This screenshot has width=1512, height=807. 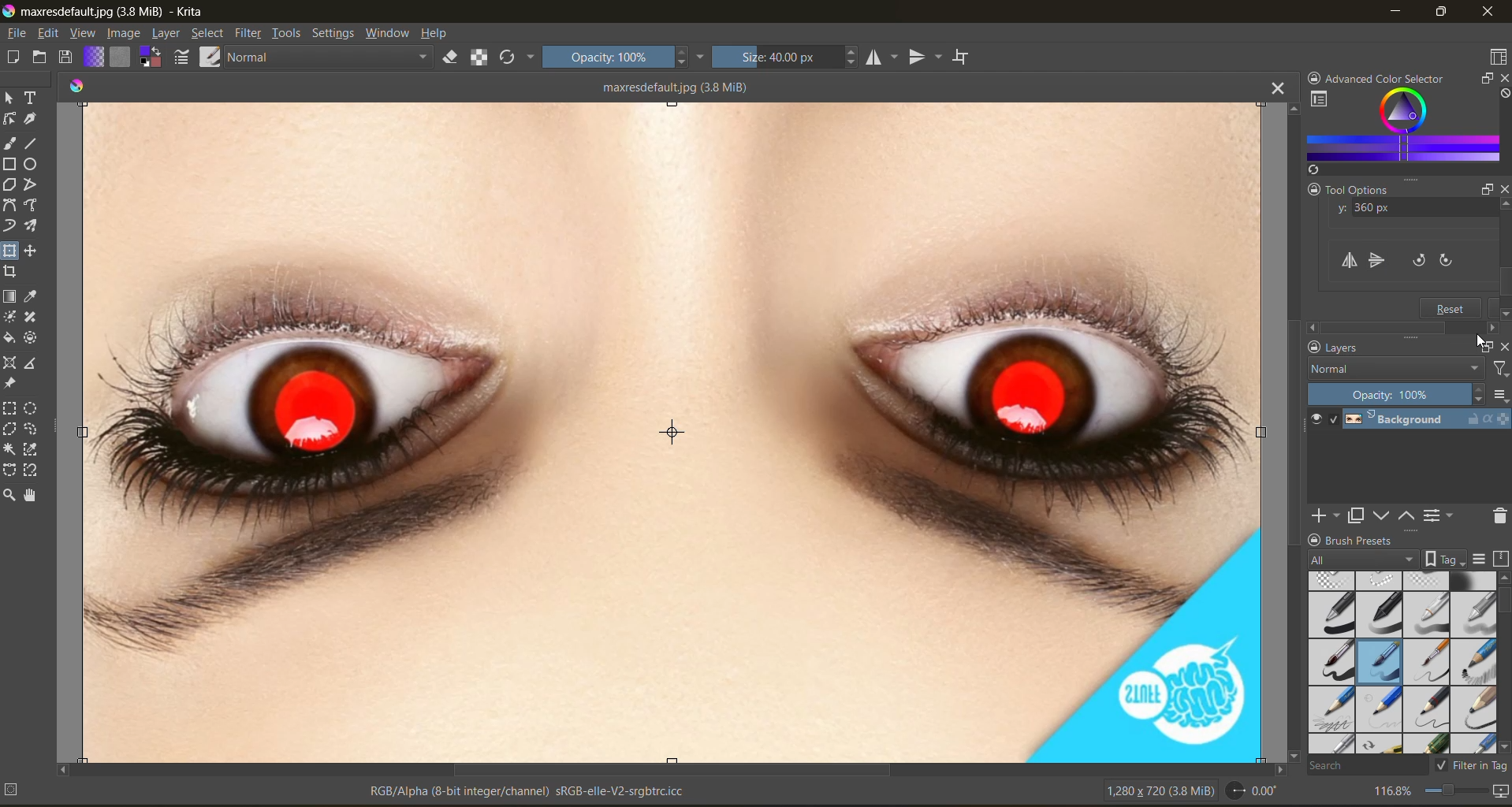 I want to click on duplicate layer or mask, so click(x=1359, y=515).